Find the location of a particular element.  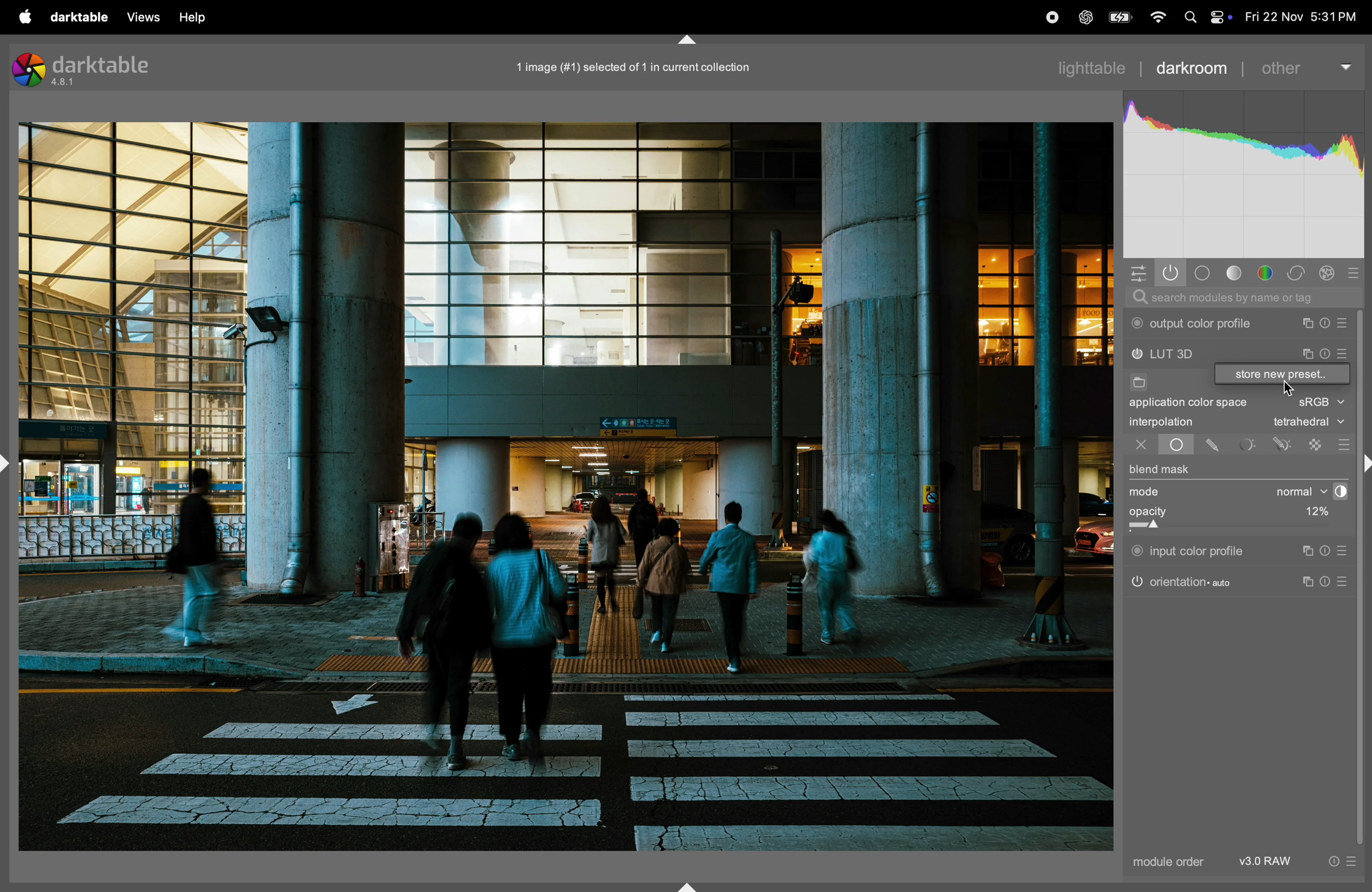

image is located at coordinates (627, 67).